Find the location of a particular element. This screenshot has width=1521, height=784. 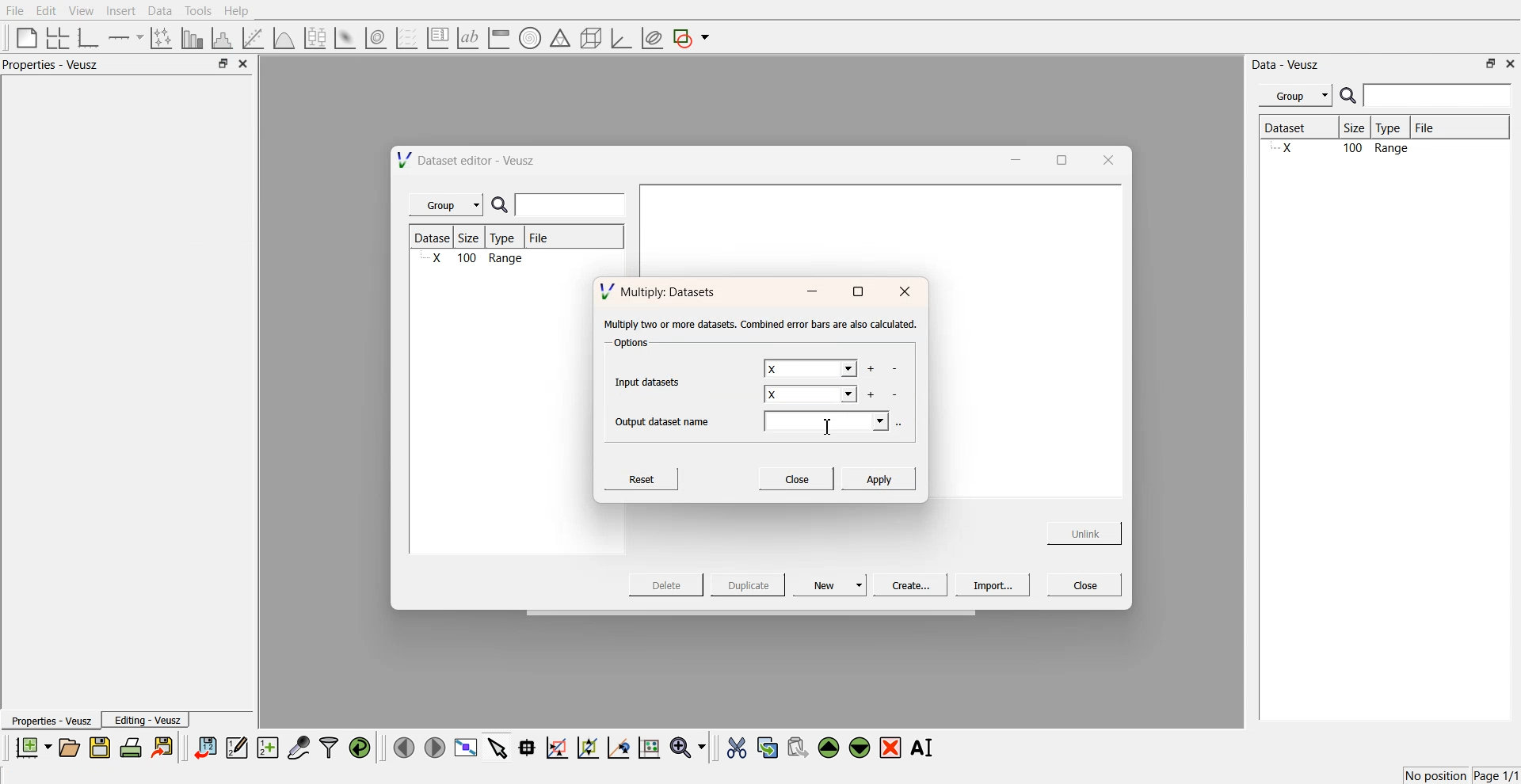

plot bar chart is located at coordinates (192, 39).